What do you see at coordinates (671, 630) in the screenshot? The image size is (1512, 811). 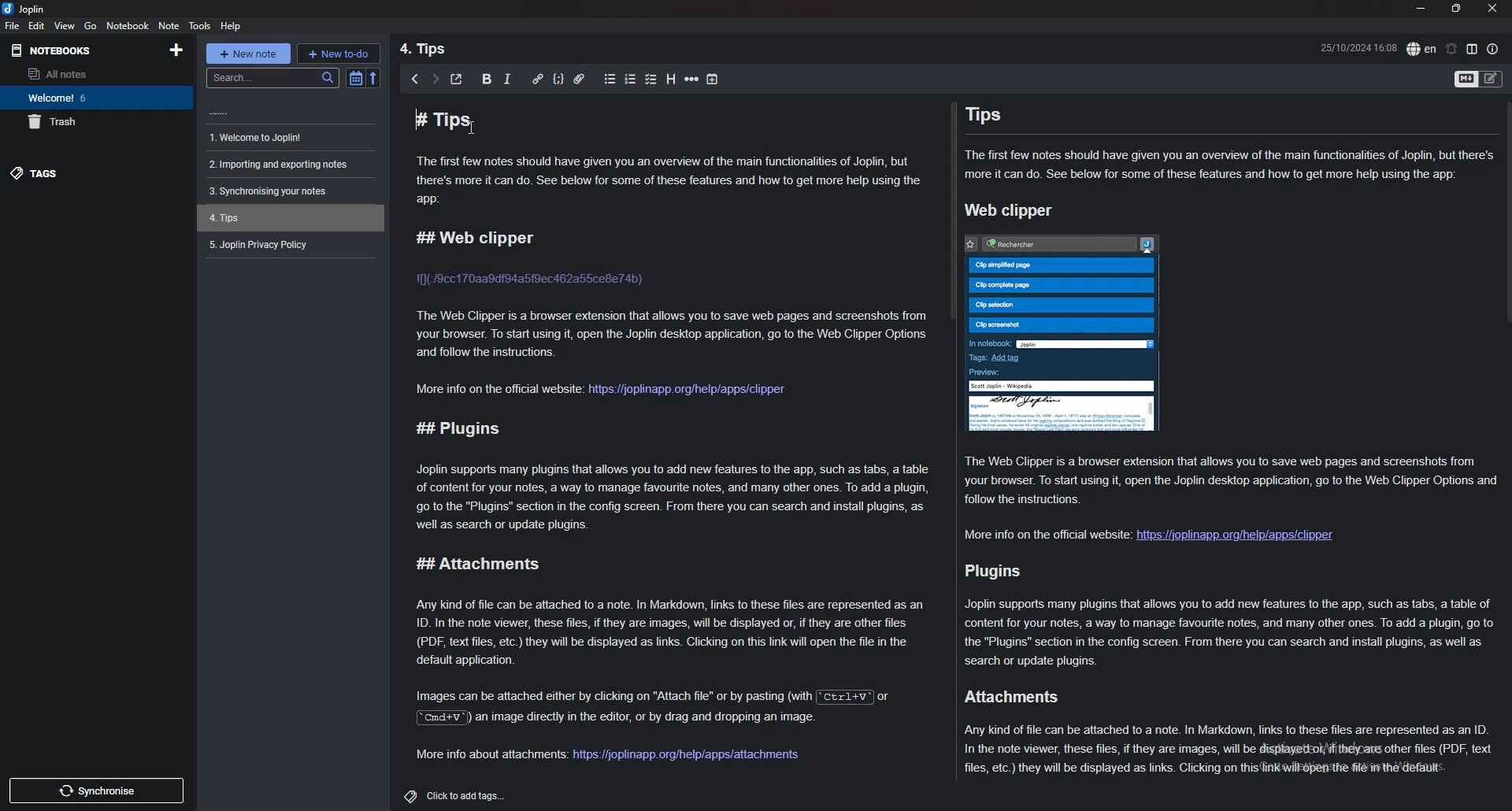 I see `Any kind of file can be attached to a note. In Markdown, links to these files are represented as an
1D. In the note viewer, these files, if they are images, wil be displayed or, if they are other files
(PDF, text files, etc.) they will be displayed as links. Clicking on this link will open the file in the
default application.` at bounding box center [671, 630].